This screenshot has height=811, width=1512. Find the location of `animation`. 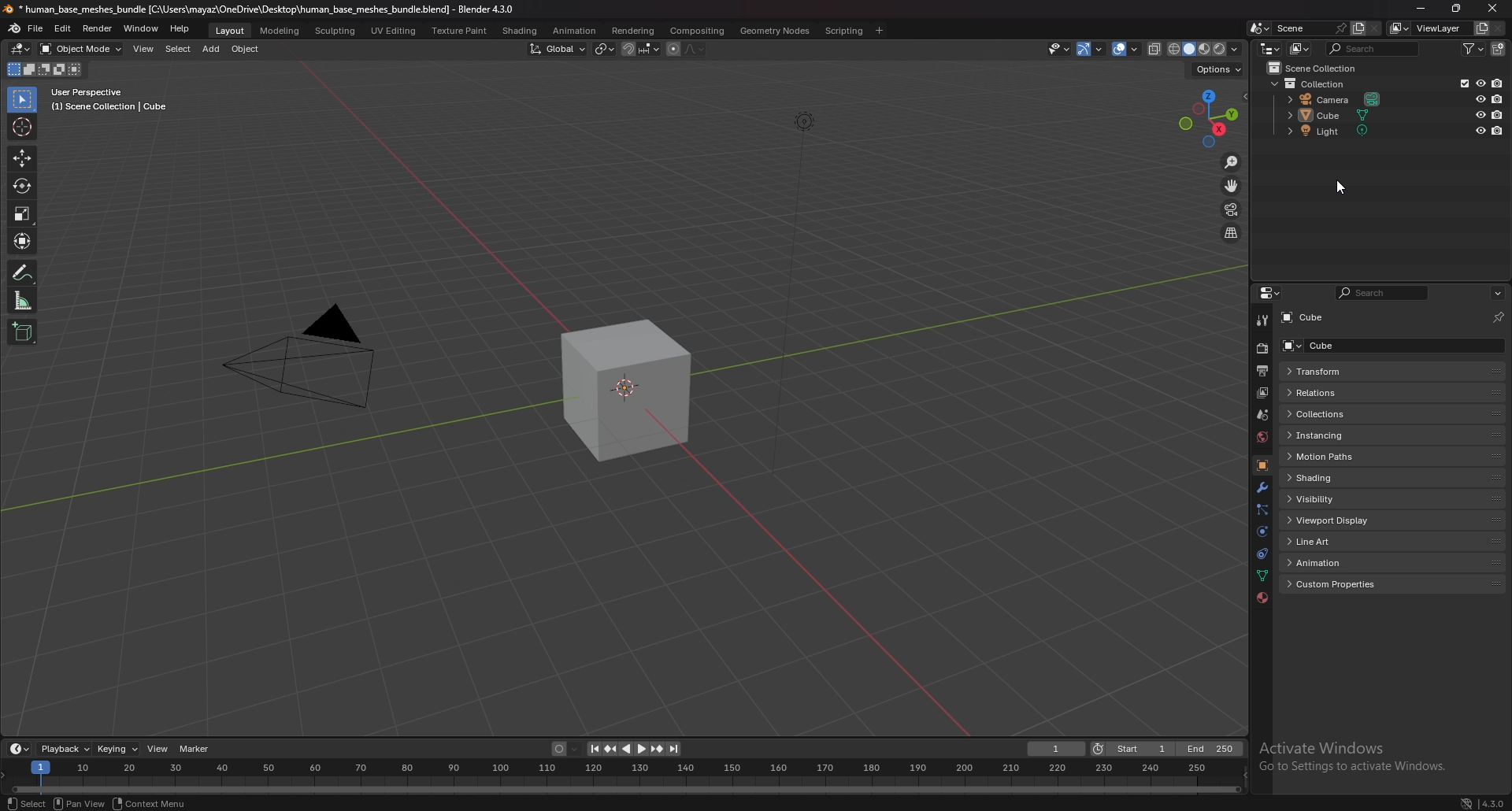

animation is located at coordinates (1341, 561).